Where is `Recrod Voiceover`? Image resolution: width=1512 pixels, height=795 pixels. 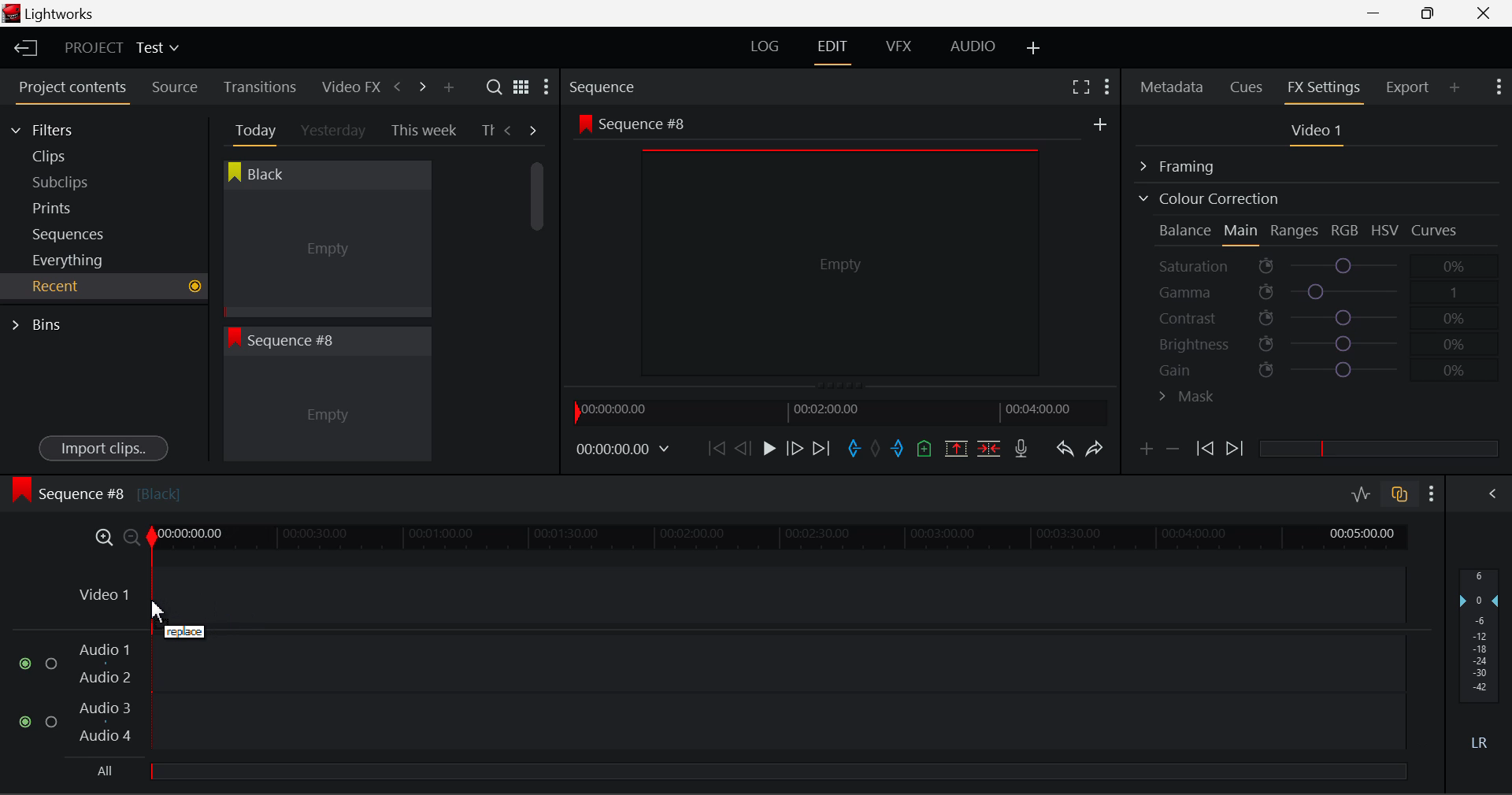
Recrod Voiceover is located at coordinates (1021, 448).